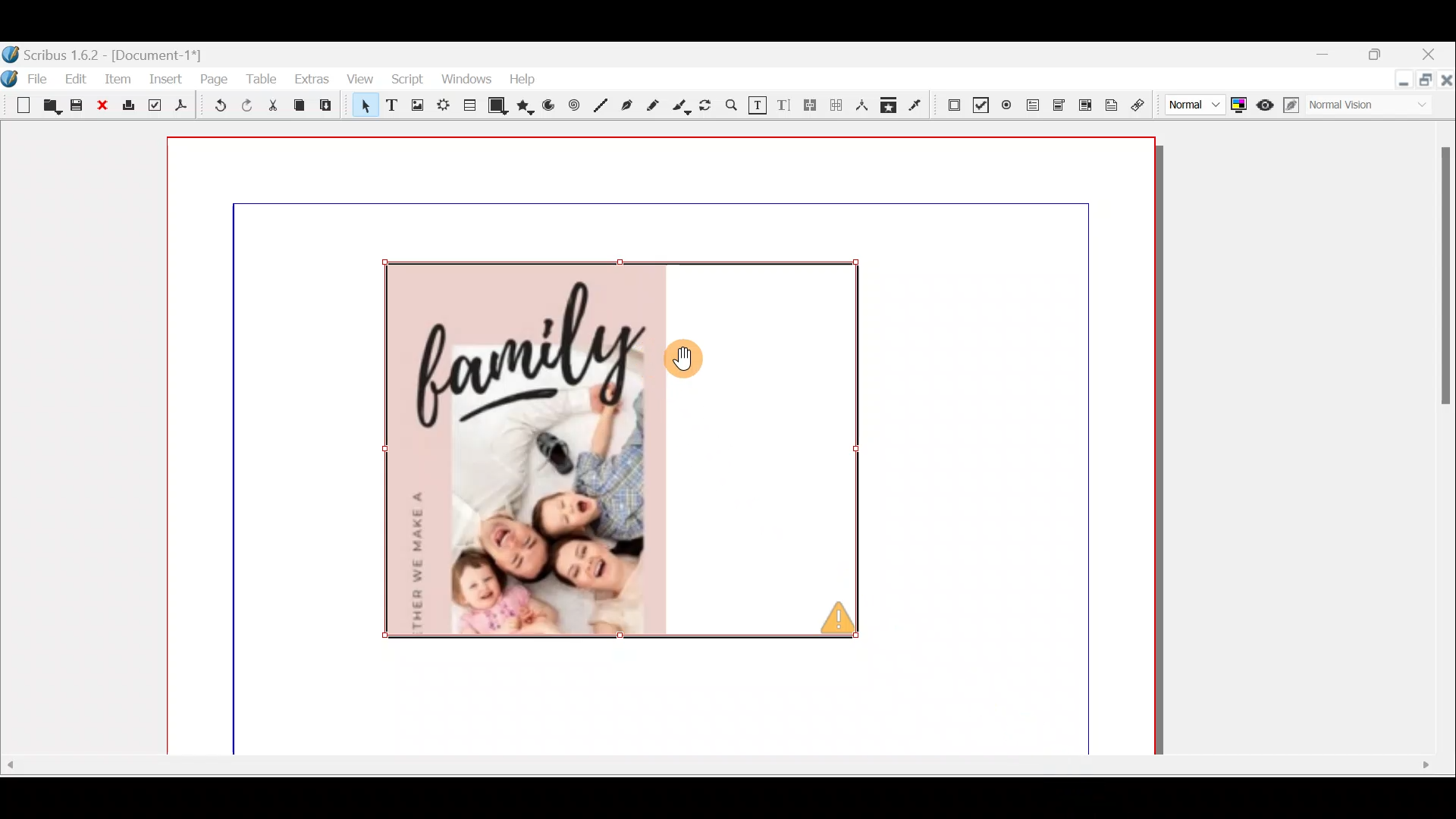  What do you see at coordinates (167, 78) in the screenshot?
I see `Insert` at bounding box center [167, 78].